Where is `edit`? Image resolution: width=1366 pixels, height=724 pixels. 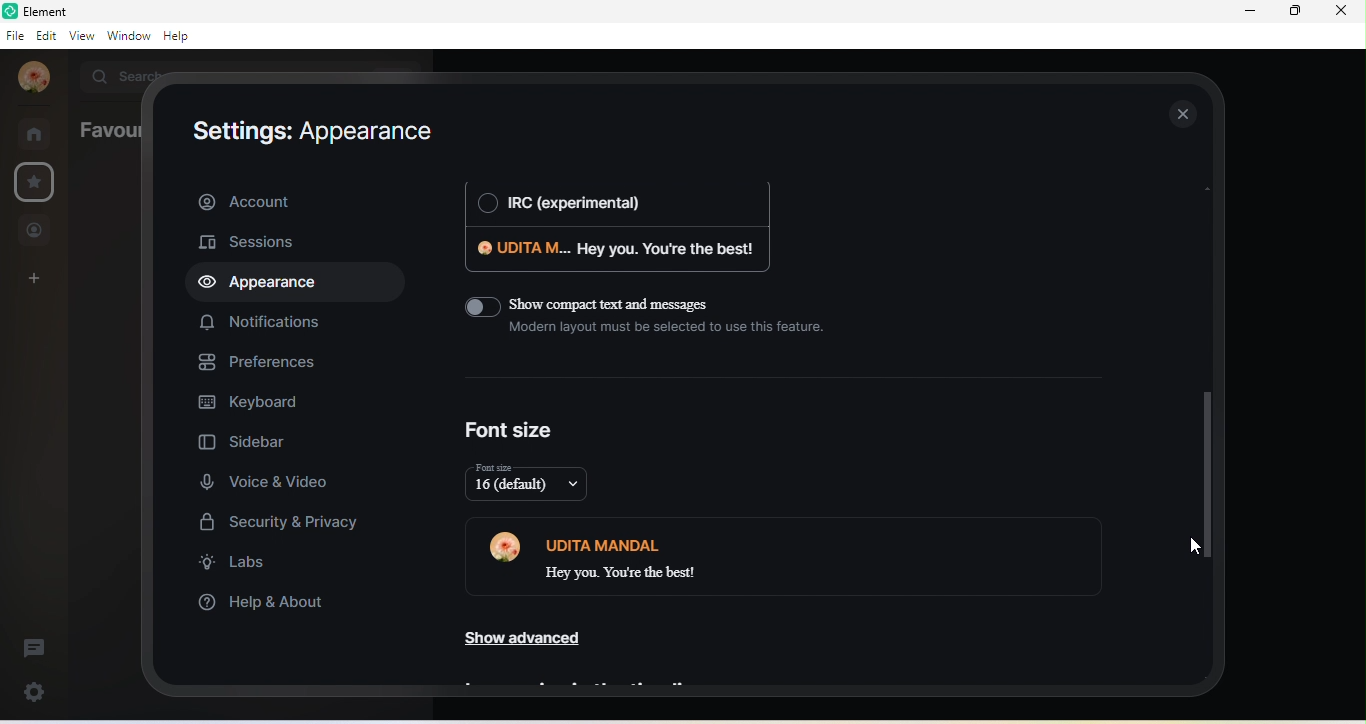 edit is located at coordinates (44, 38).